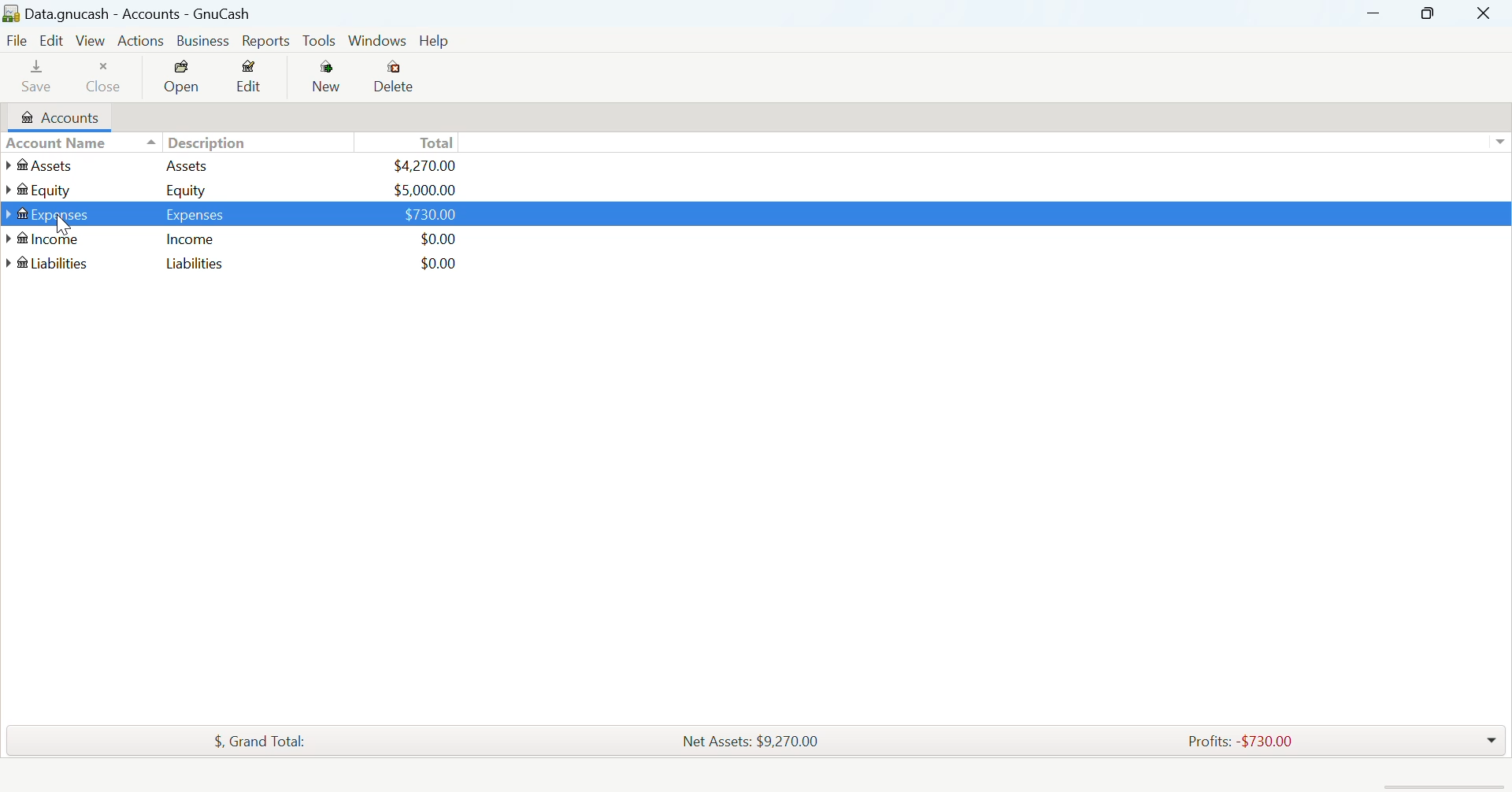 Image resolution: width=1512 pixels, height=792 pixels. I want to click on Cursor on Expenses Account, so click(237, 214).